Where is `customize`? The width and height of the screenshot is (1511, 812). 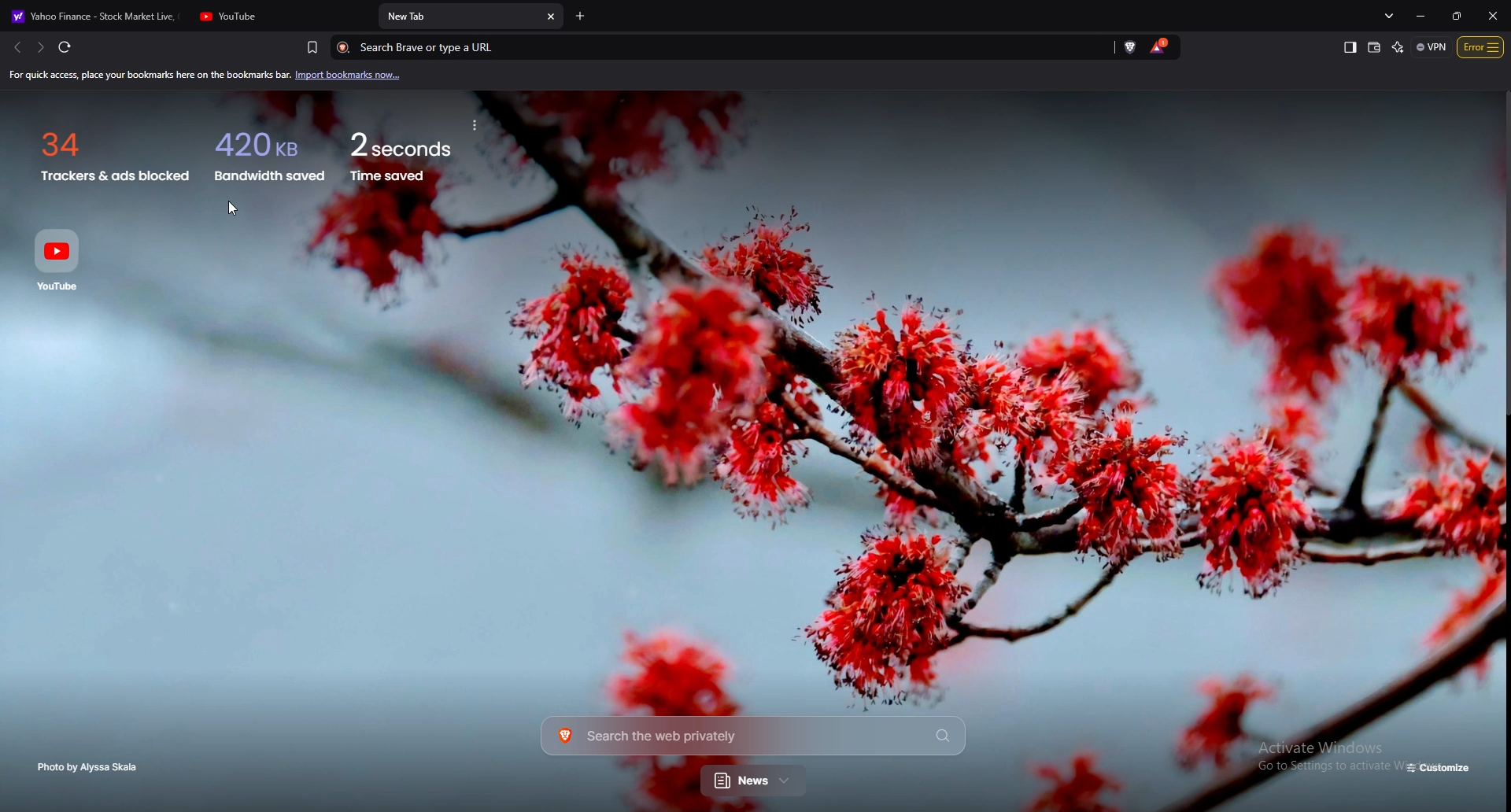
customize is located at coordinates (1440, 769).